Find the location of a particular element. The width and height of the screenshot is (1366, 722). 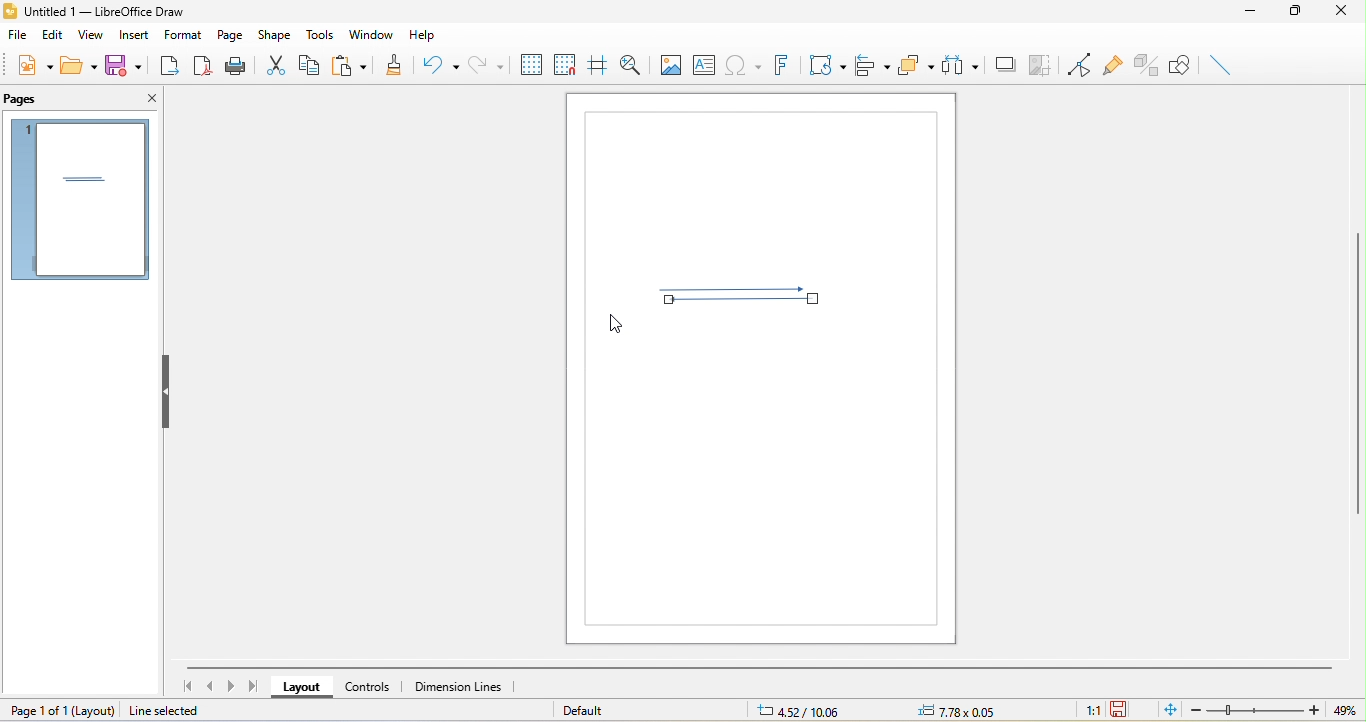

crop image is located at coordinates (1042, 64).